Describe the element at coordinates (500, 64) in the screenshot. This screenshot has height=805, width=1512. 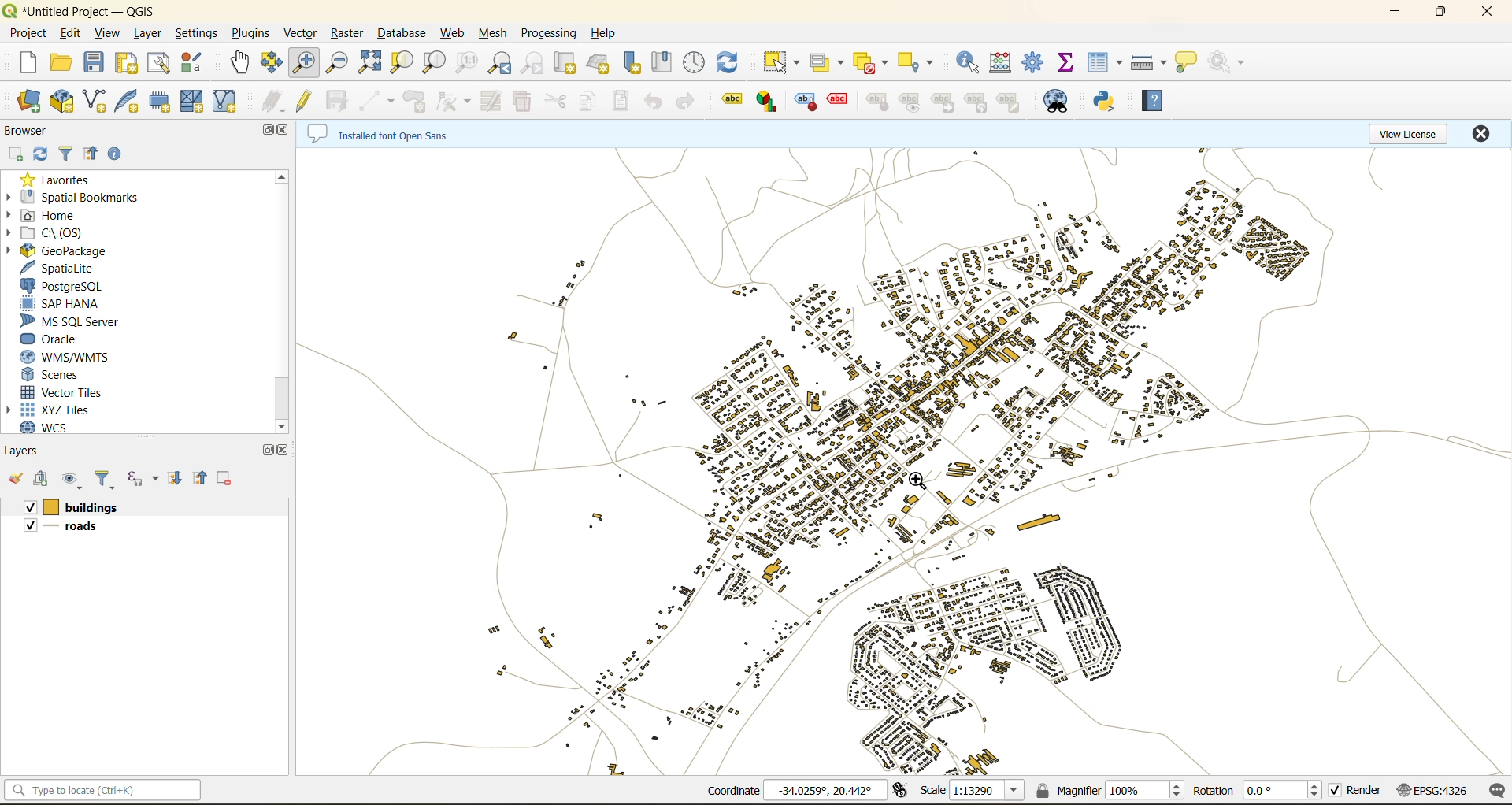
I see `zoom last` at that location.